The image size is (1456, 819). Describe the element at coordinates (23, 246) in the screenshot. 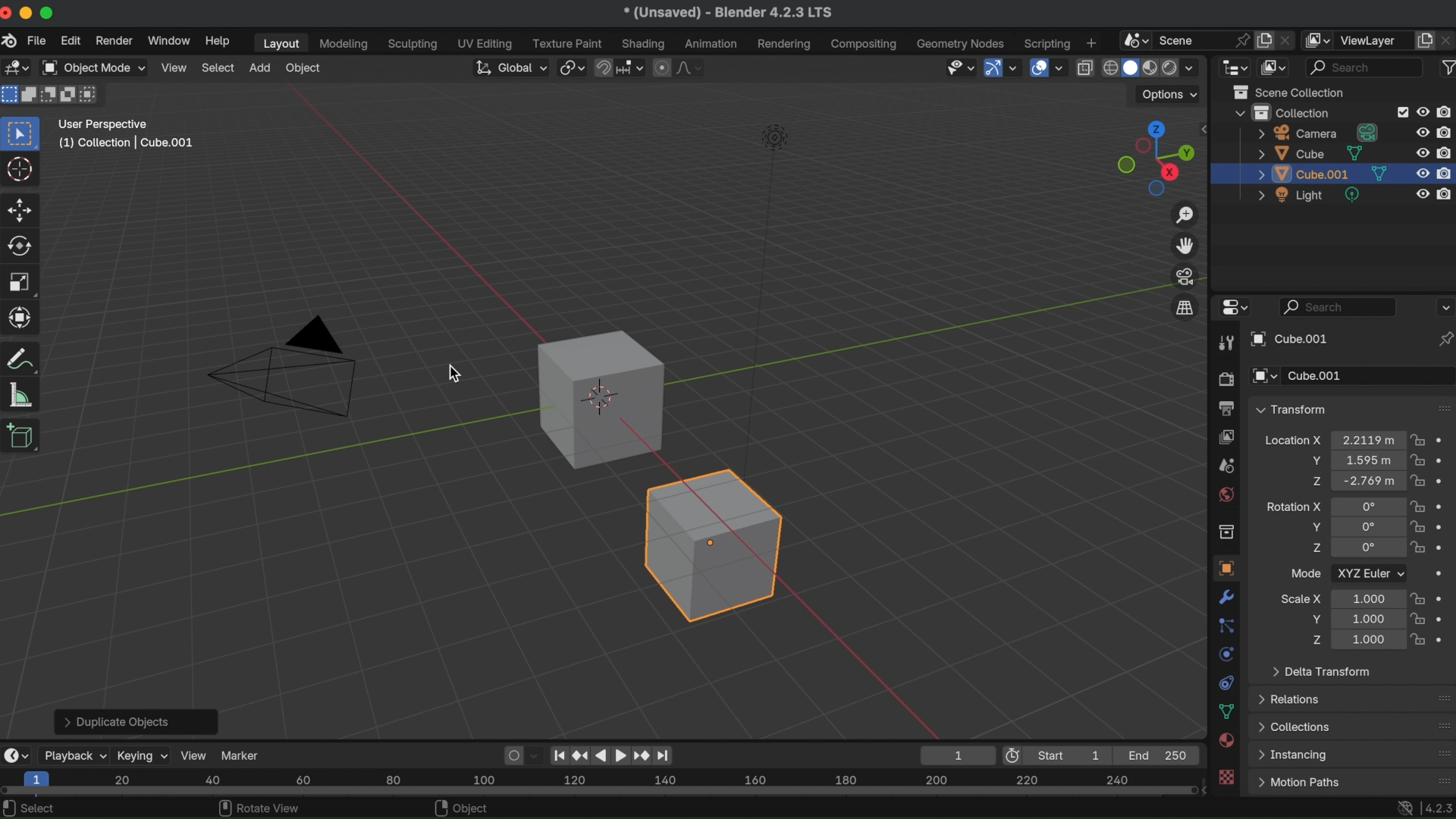

I see `rotate` at that location.